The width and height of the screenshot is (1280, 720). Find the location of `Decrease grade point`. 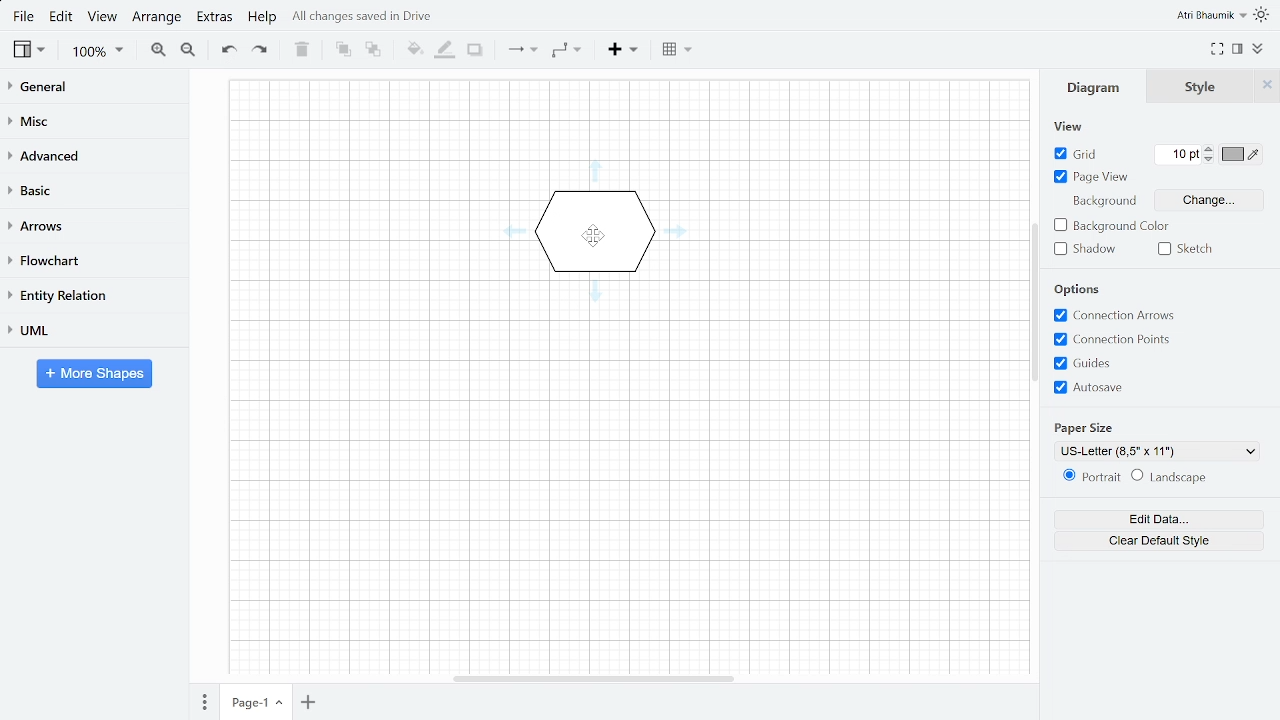

Decrease grade point is located at coordinates (1208, 160).